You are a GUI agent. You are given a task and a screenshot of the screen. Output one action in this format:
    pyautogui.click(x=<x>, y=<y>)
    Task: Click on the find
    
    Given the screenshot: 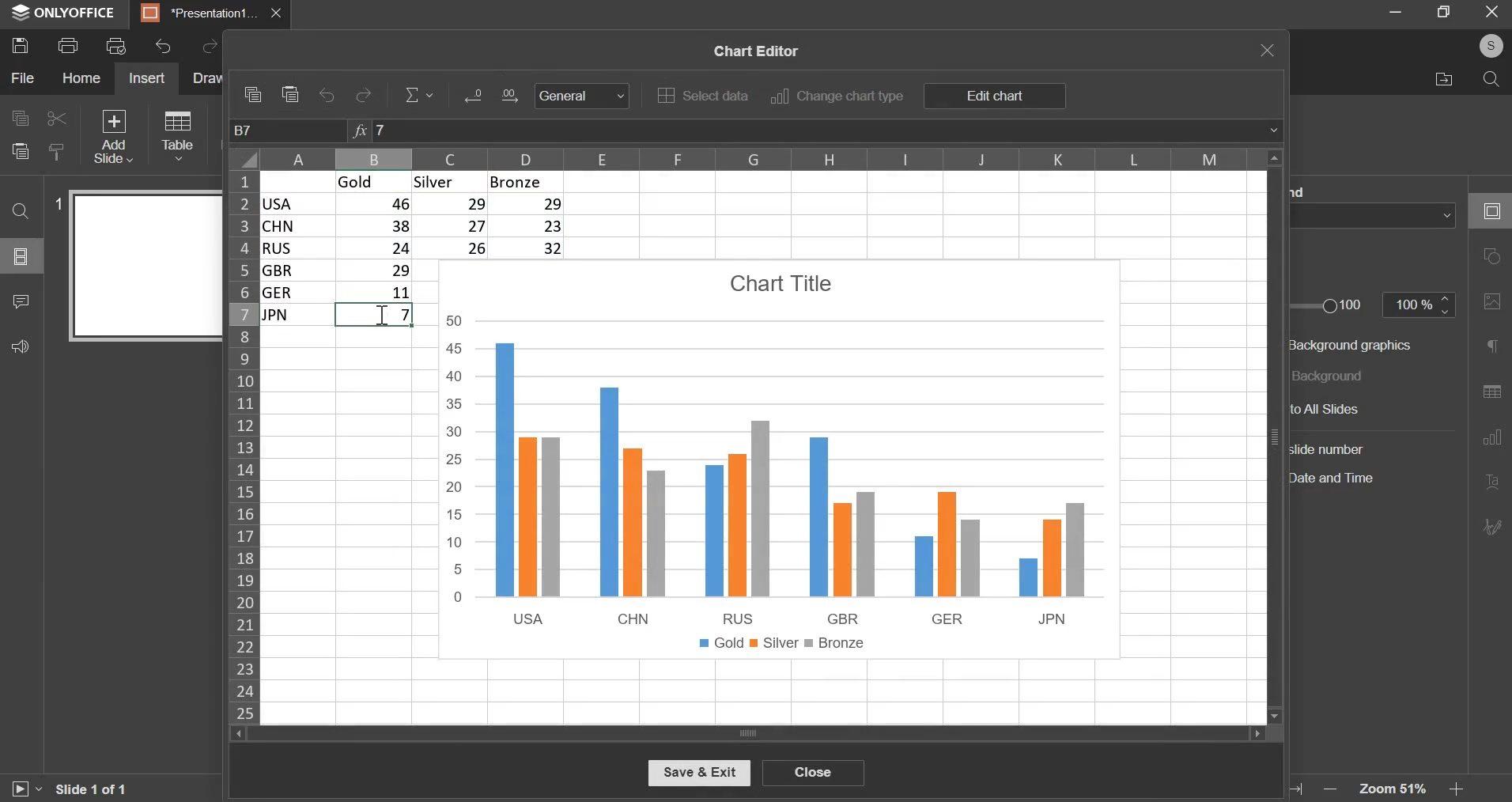 What is the action you would take?
    pyautogui.click(x=21, y=211)
    